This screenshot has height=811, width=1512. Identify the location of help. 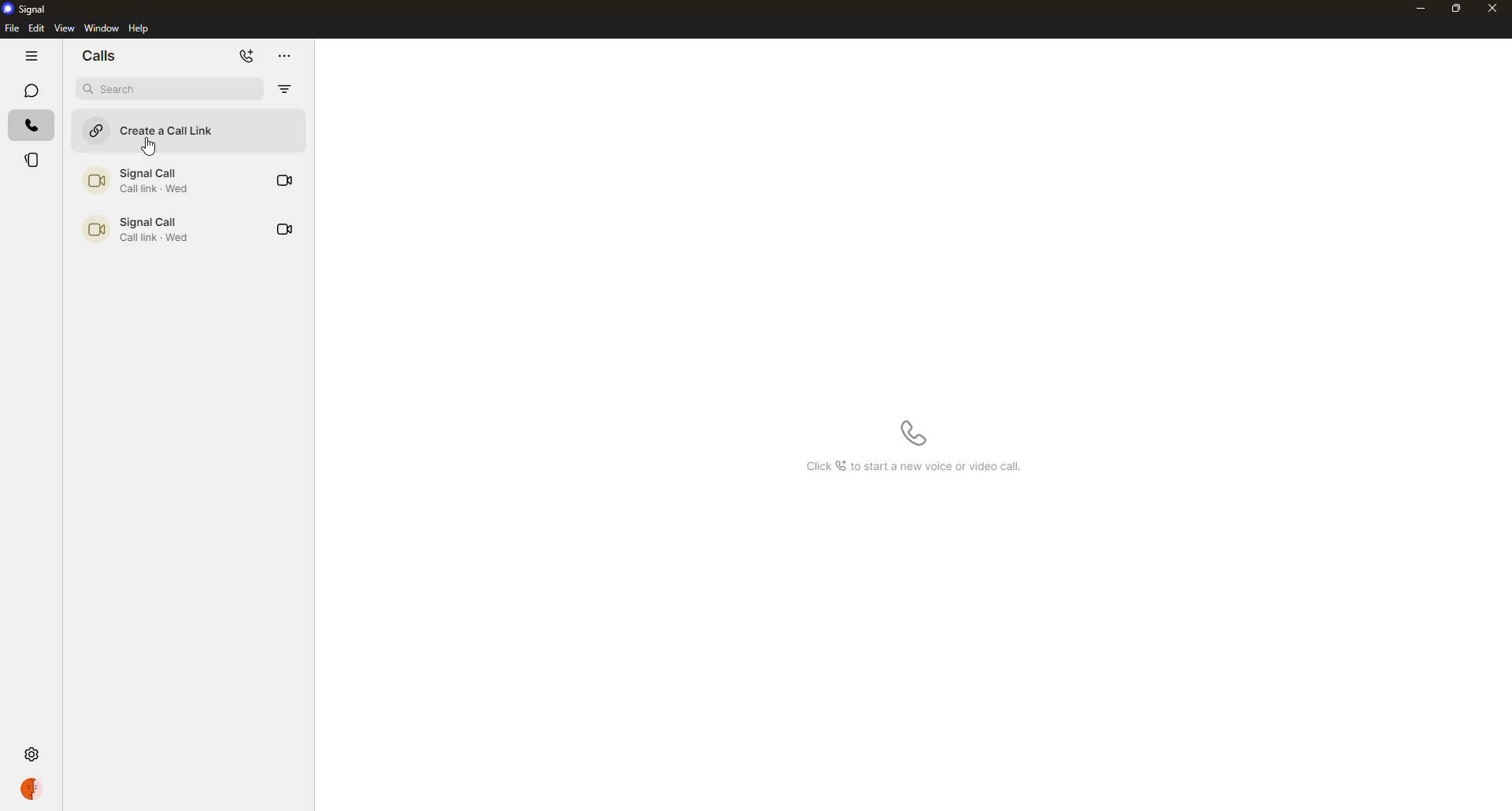
(141, 28).